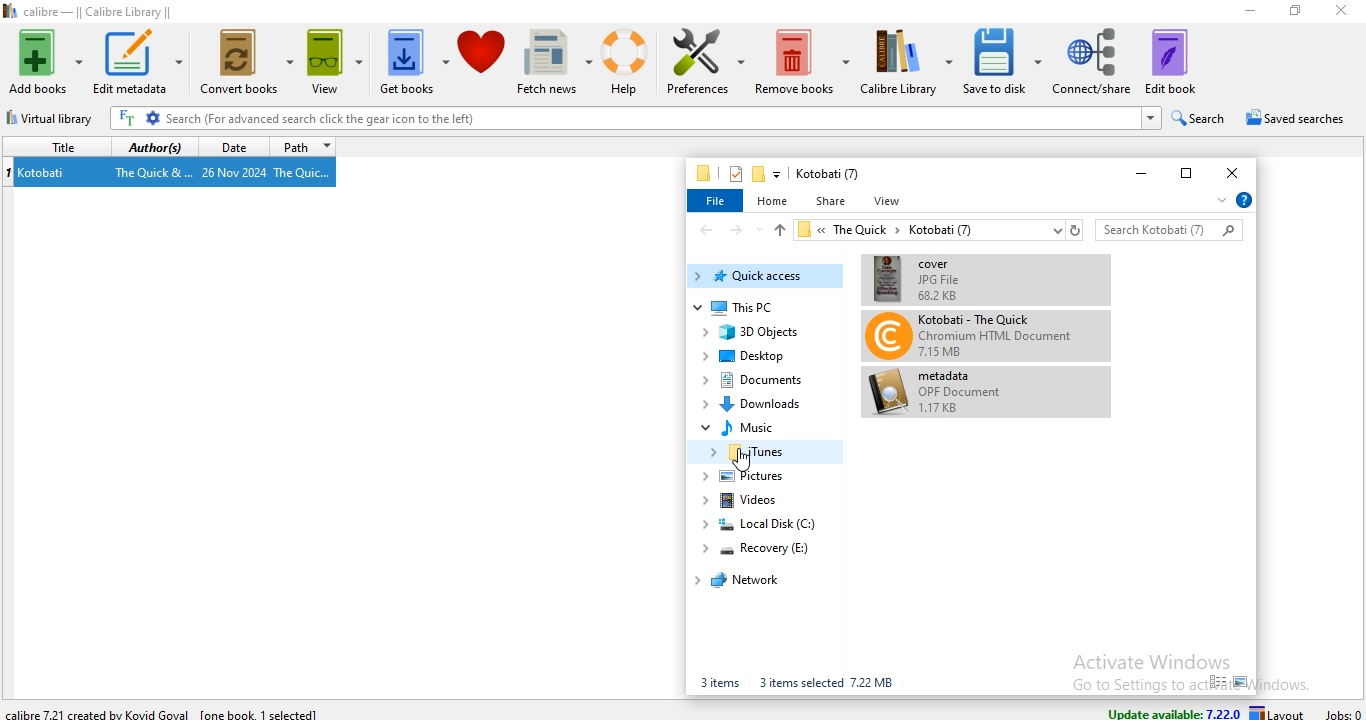 This screenshot has width=1366, height=720. Describe the element at coordinates (890, 201) in the screenshot. I see `view` at that location.